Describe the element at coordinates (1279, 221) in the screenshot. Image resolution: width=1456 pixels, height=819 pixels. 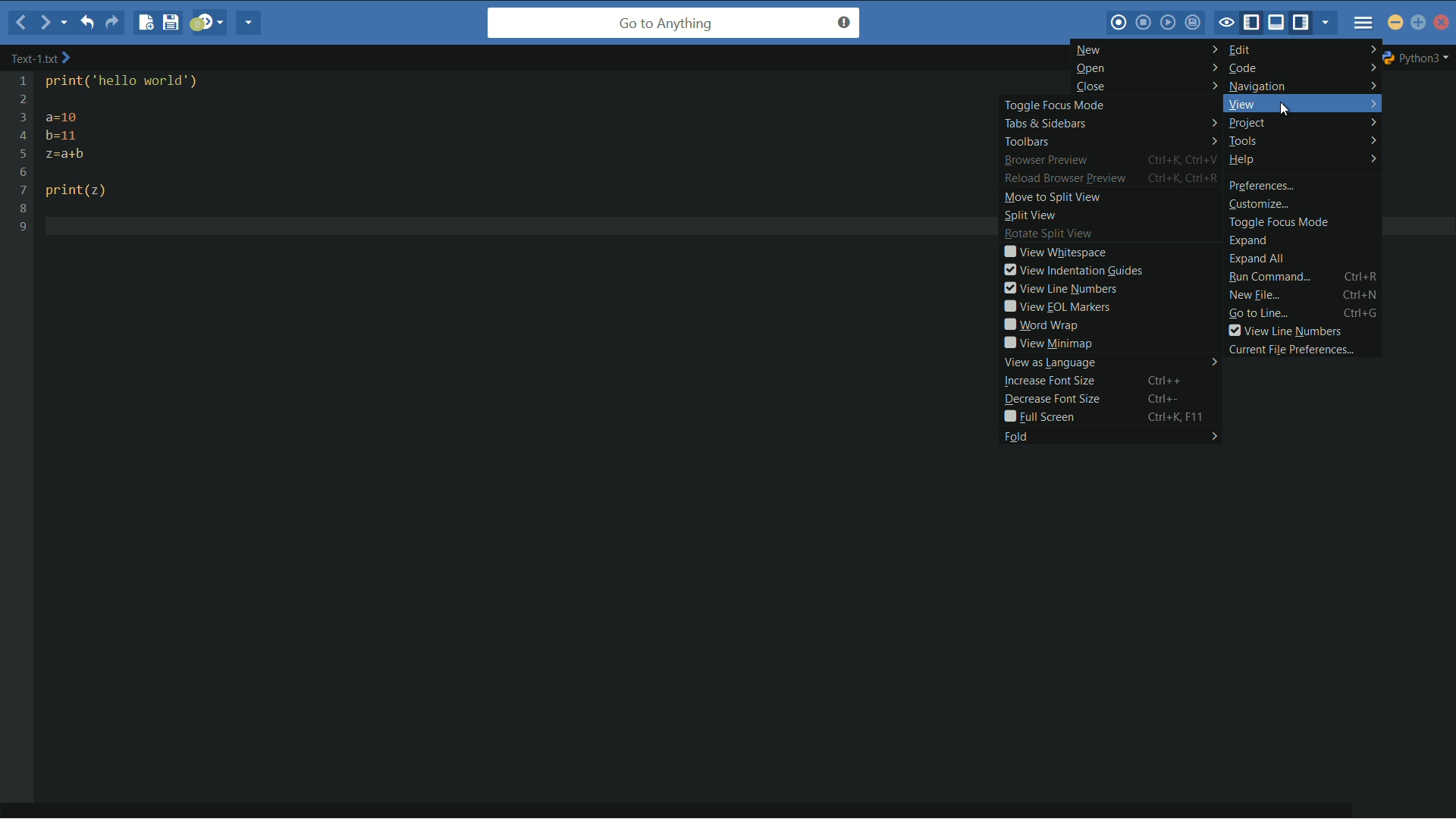
I see `toggle focus mode` at that location.